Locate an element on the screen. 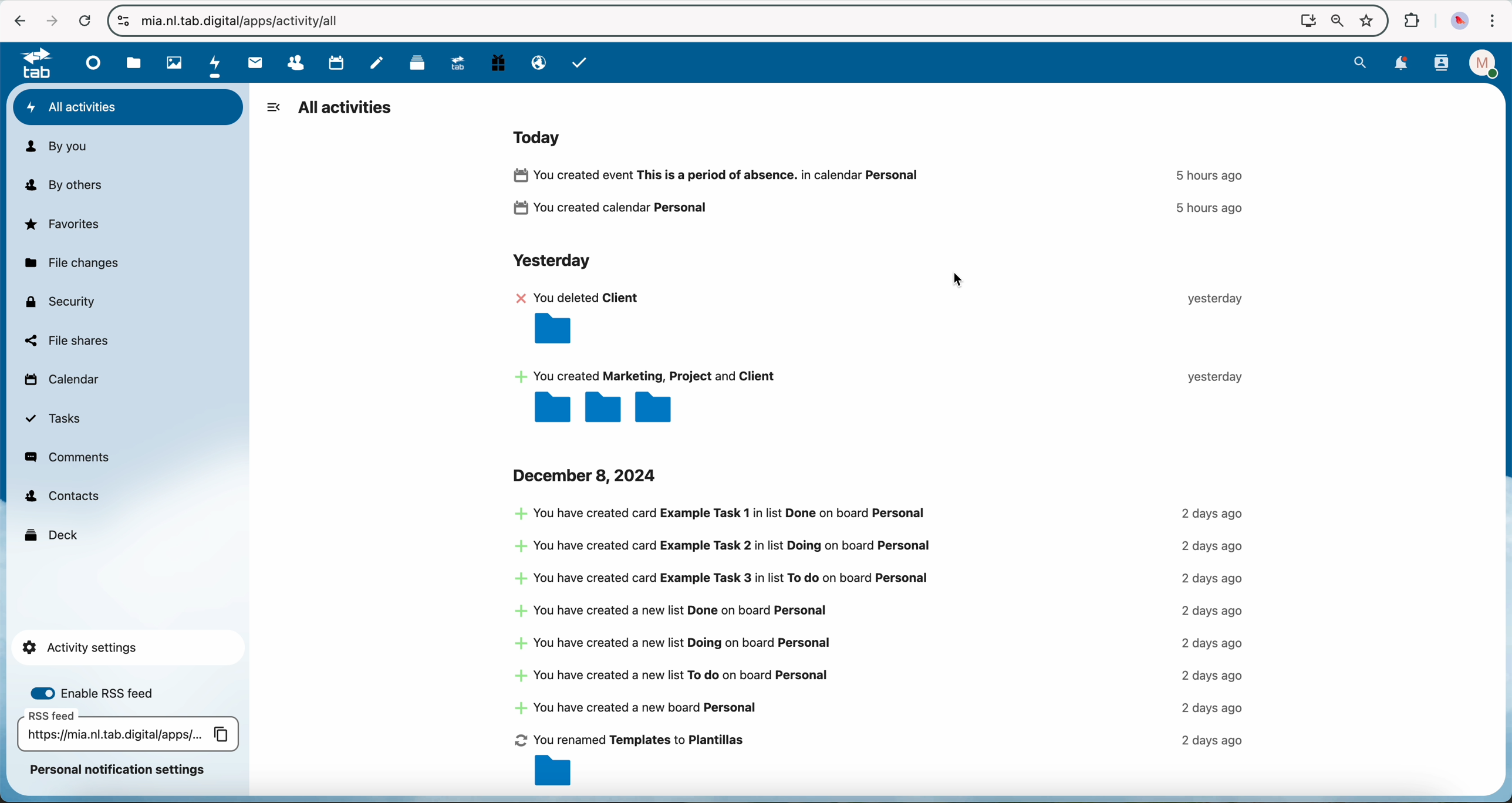 The width and height of the screenshot is (1512, 803). zoom out is located at coordinates (1336, 22).